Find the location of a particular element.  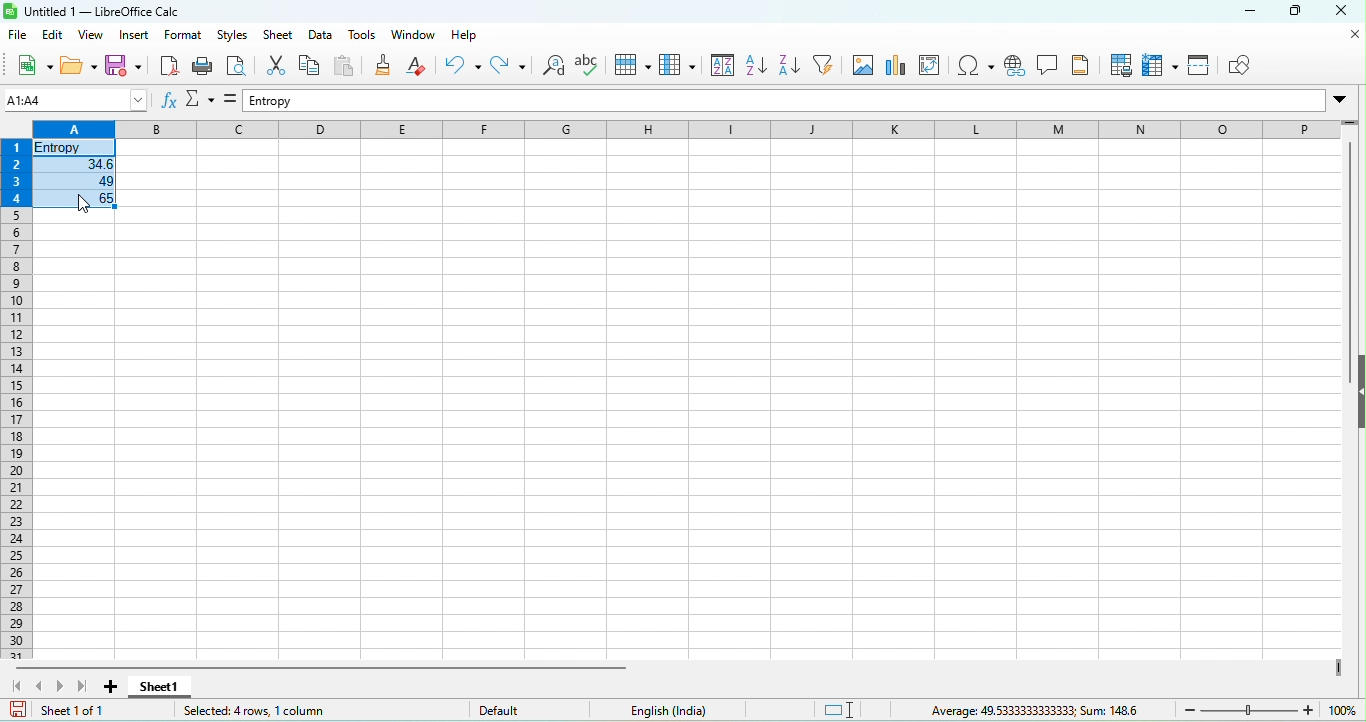

new is located at coordinates (28, 65).